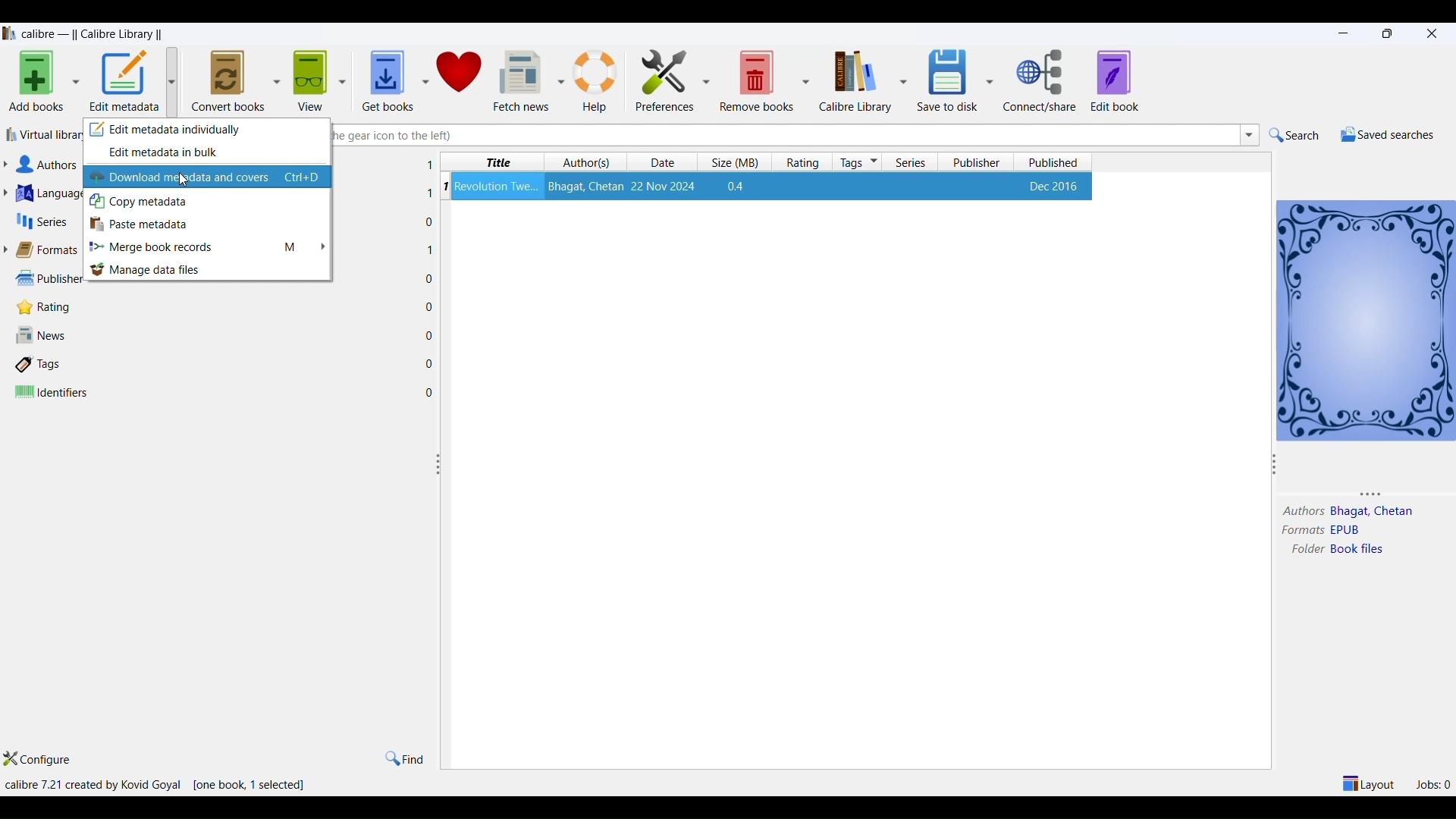  What do you see at coordinates (708, 80) in the screenshot?
I see `preferences options dropdown button` at bounding box center [708, 80].